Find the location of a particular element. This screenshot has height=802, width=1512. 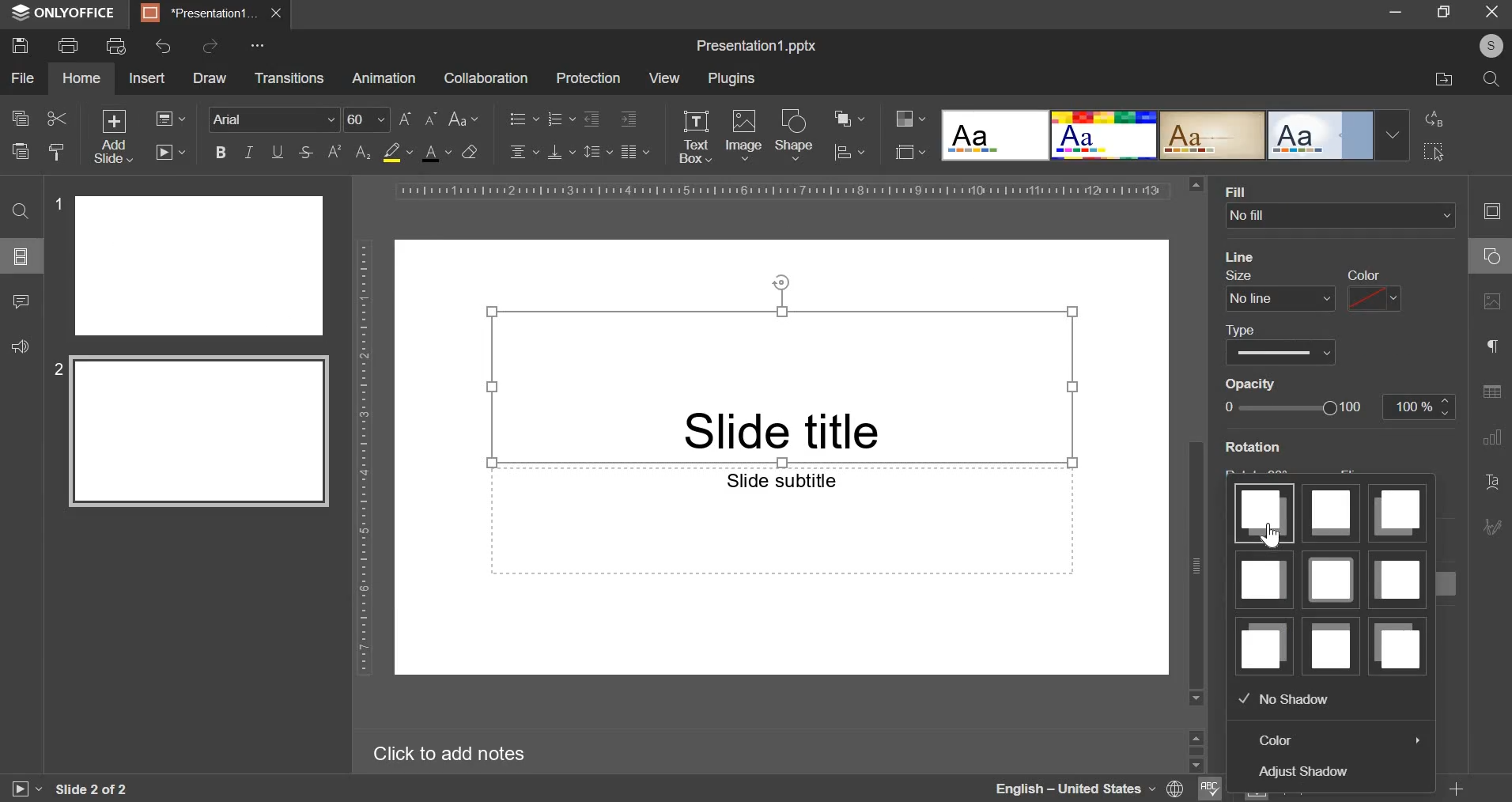

color design is located at coordinates (910, 119).